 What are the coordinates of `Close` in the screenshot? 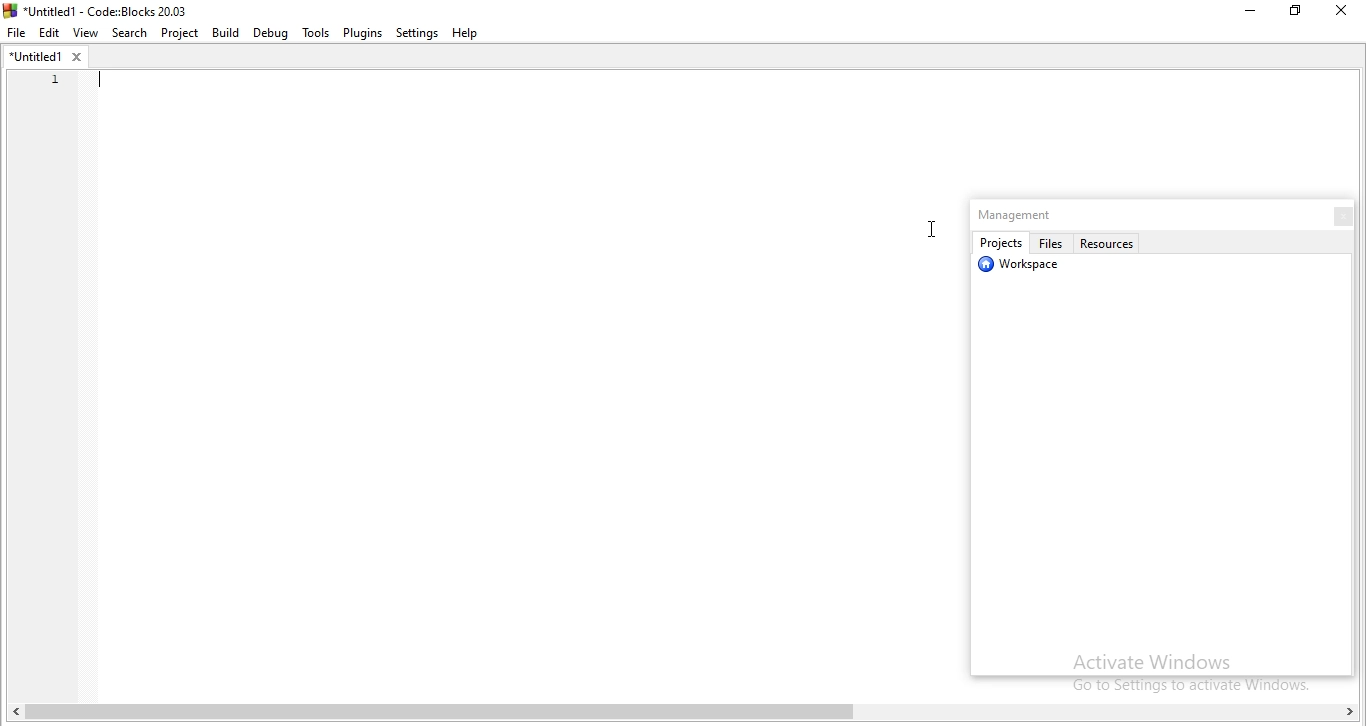 It's located at (1339, 13).